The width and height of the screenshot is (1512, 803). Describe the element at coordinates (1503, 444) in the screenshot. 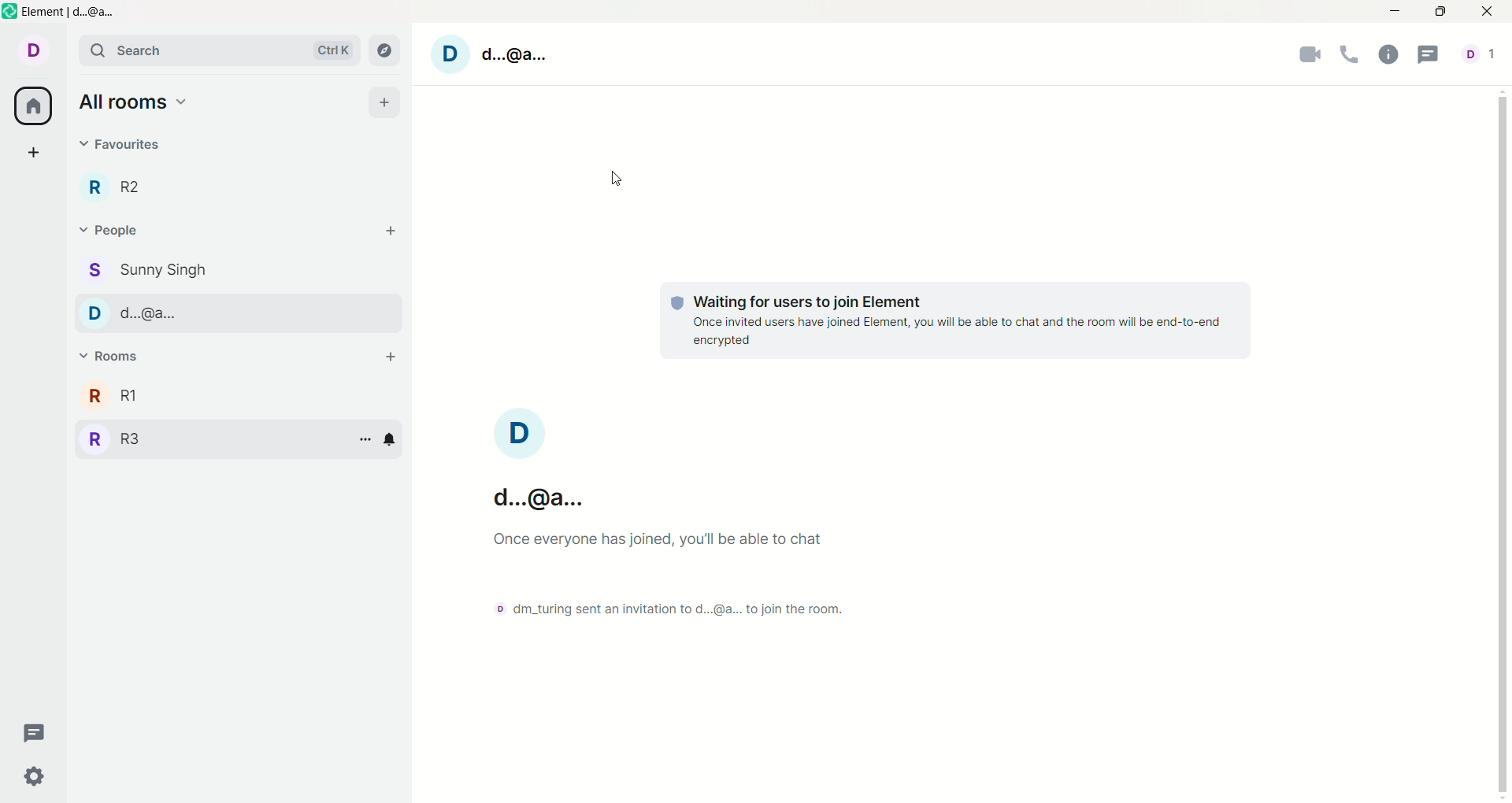

I see `Vertical slide bar` at that location.